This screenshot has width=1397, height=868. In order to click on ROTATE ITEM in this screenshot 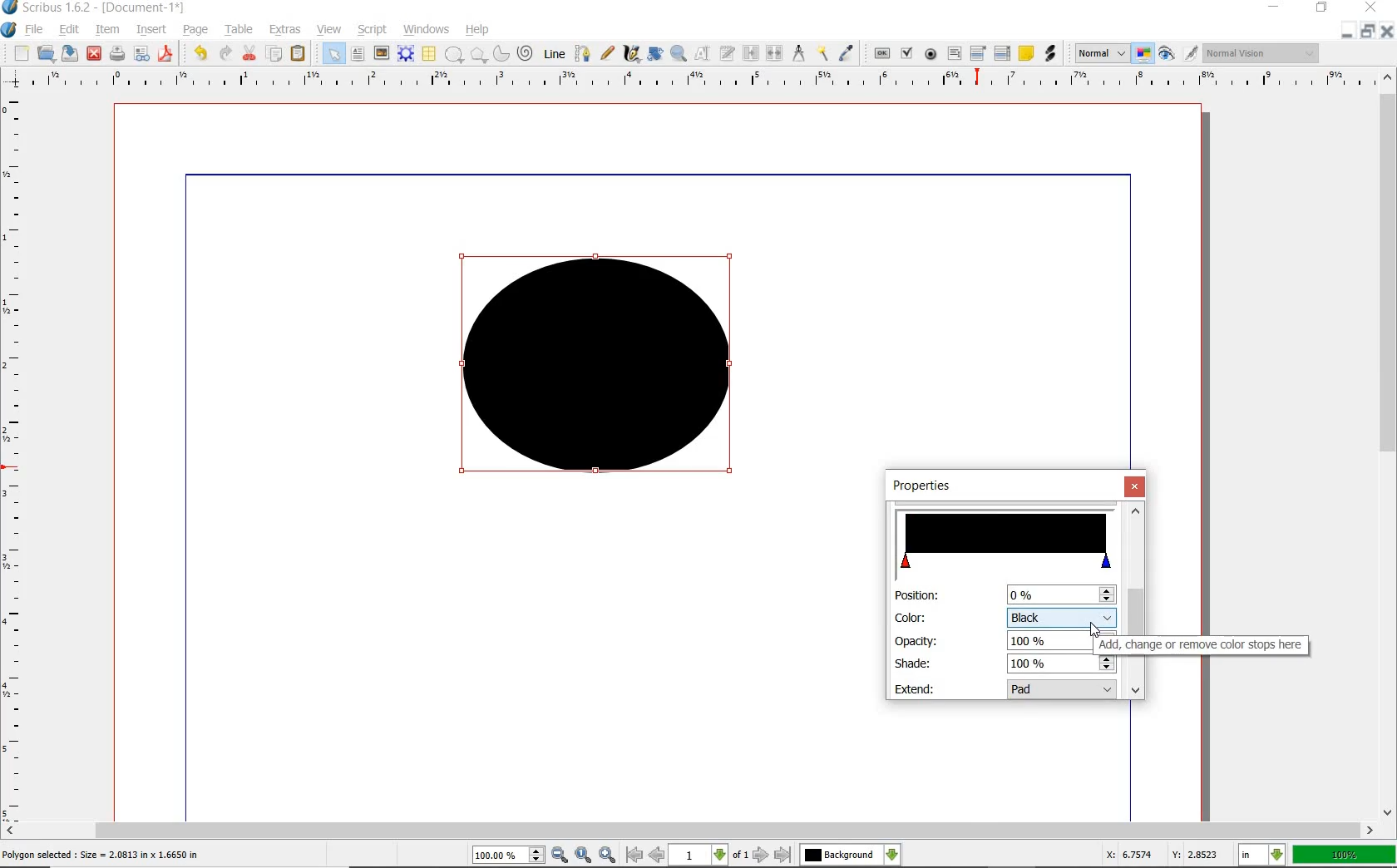, I will do `click(654, 52)`.